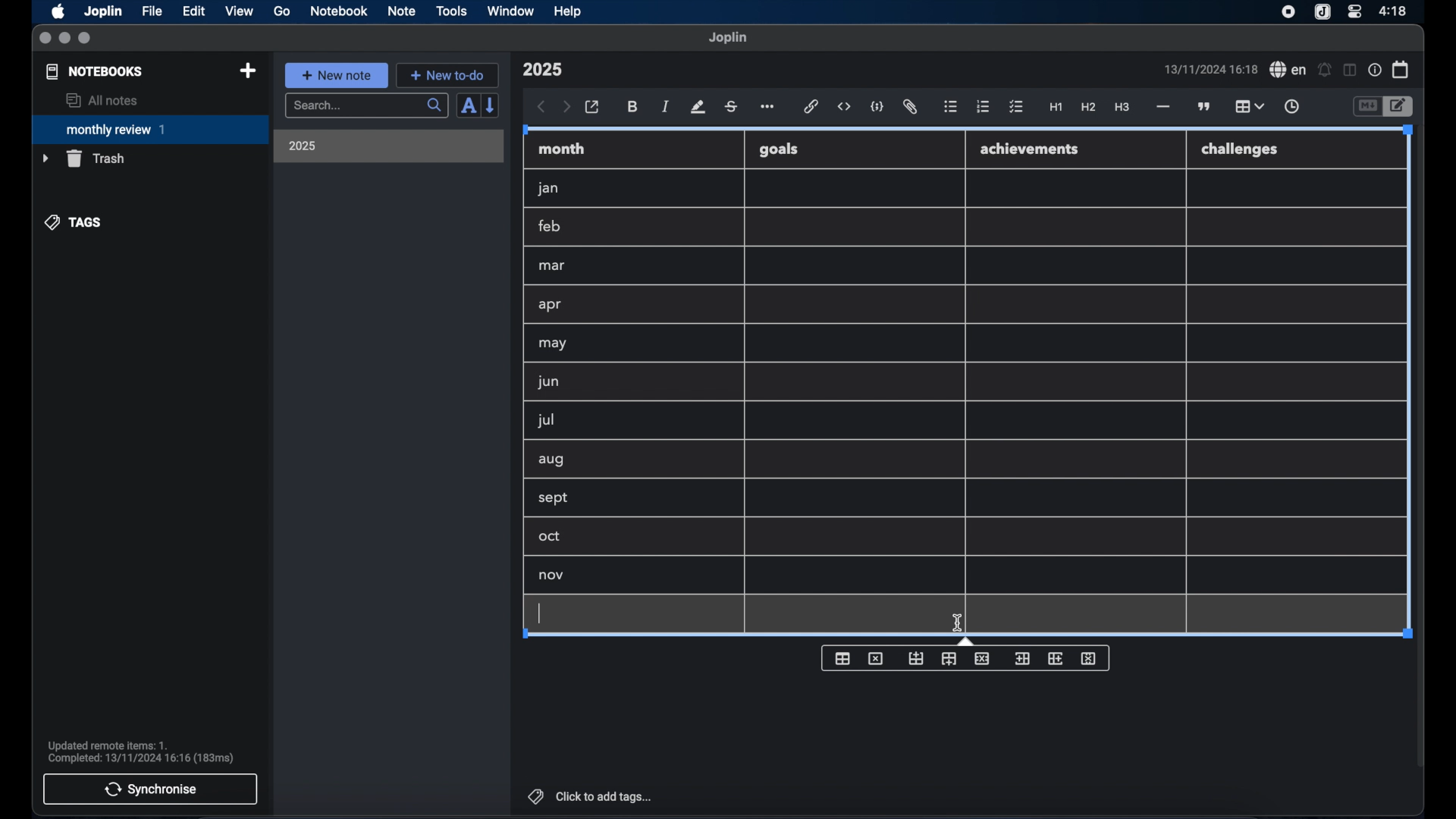  I want to click on feb, so click(551, 226).